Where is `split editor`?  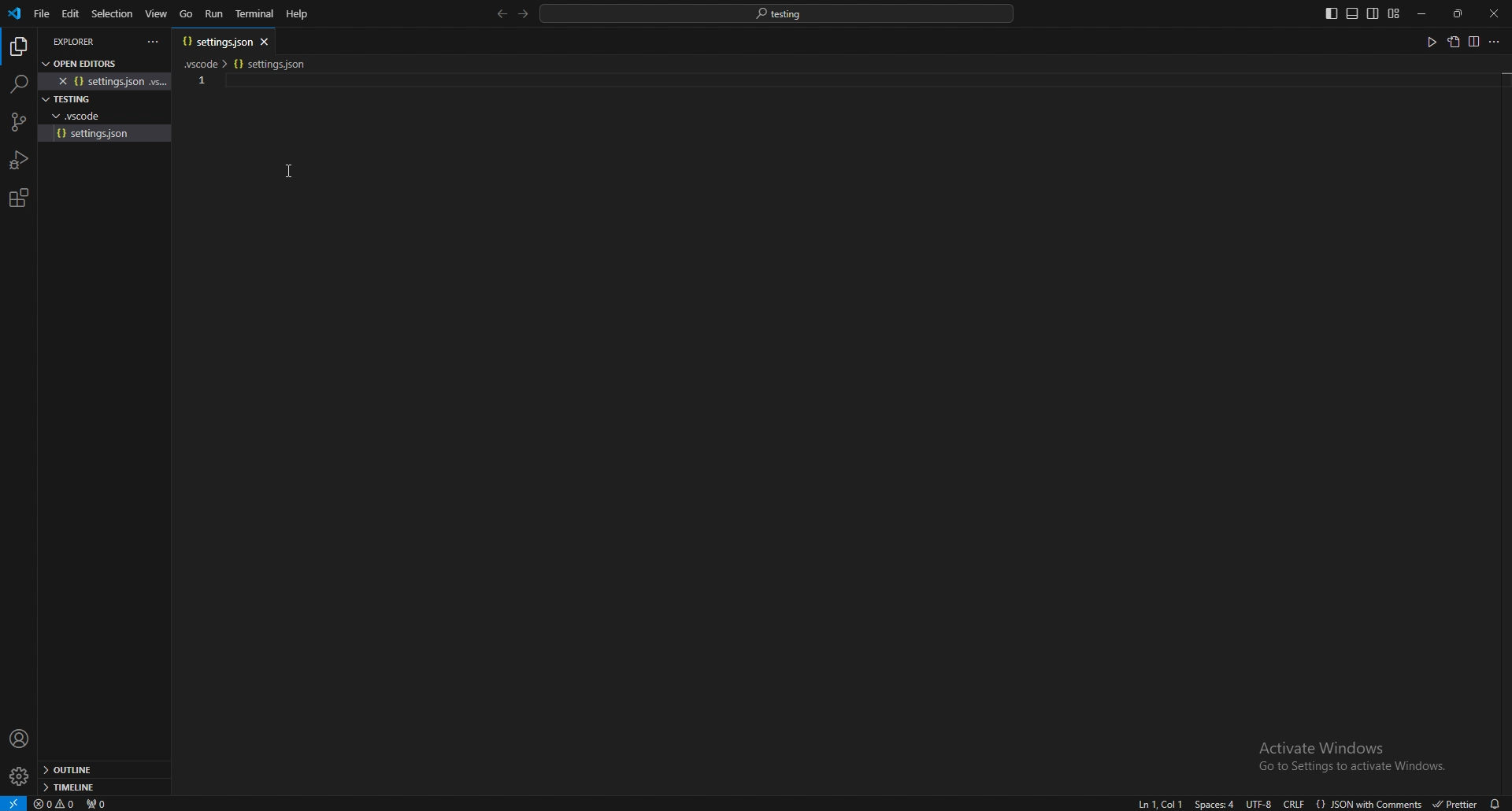
split editor is located at coordinates (1473, 43).